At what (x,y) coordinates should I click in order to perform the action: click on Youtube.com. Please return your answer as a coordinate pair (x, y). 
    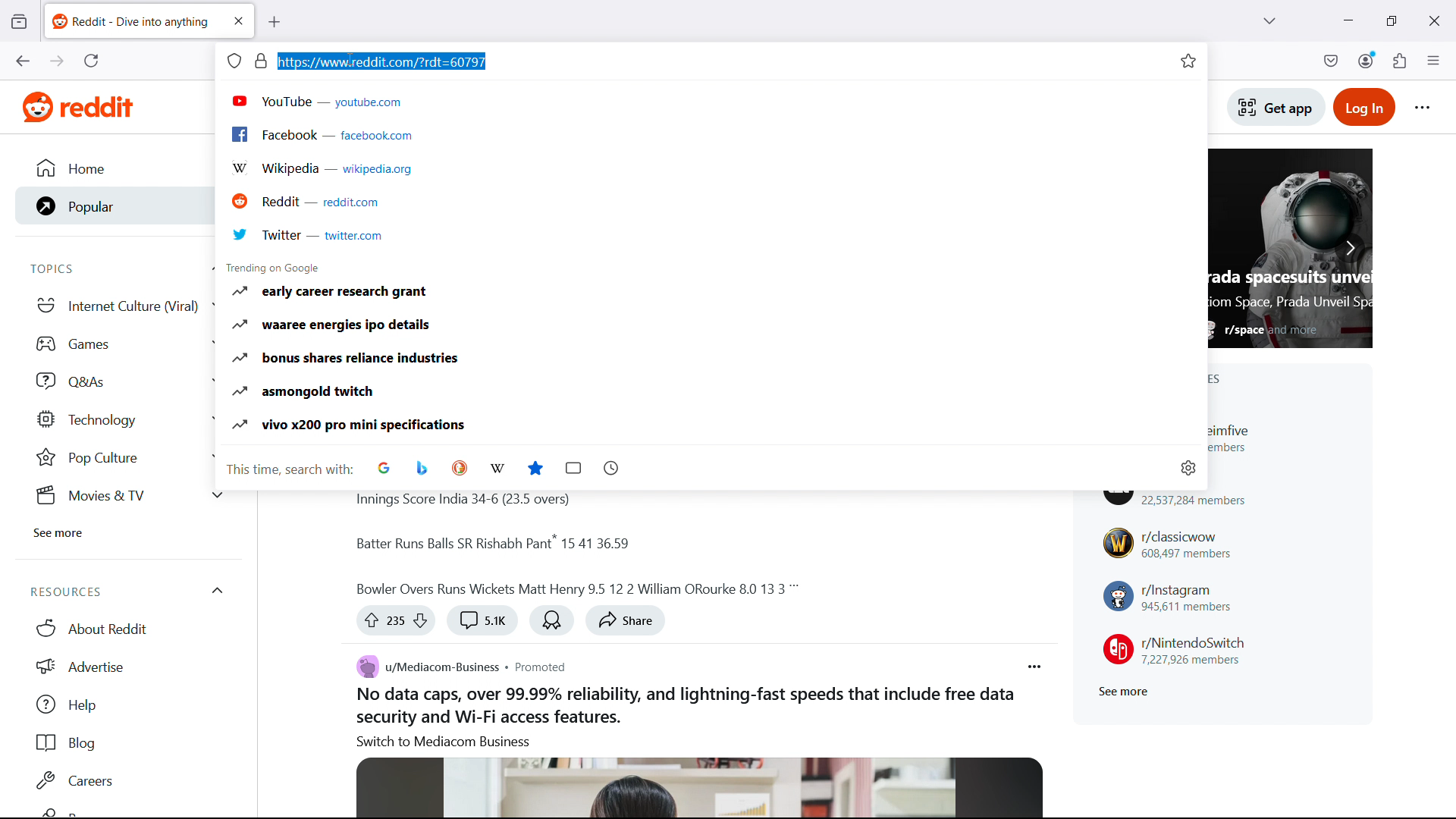
    Looking at the image, I should click on (712, 100).